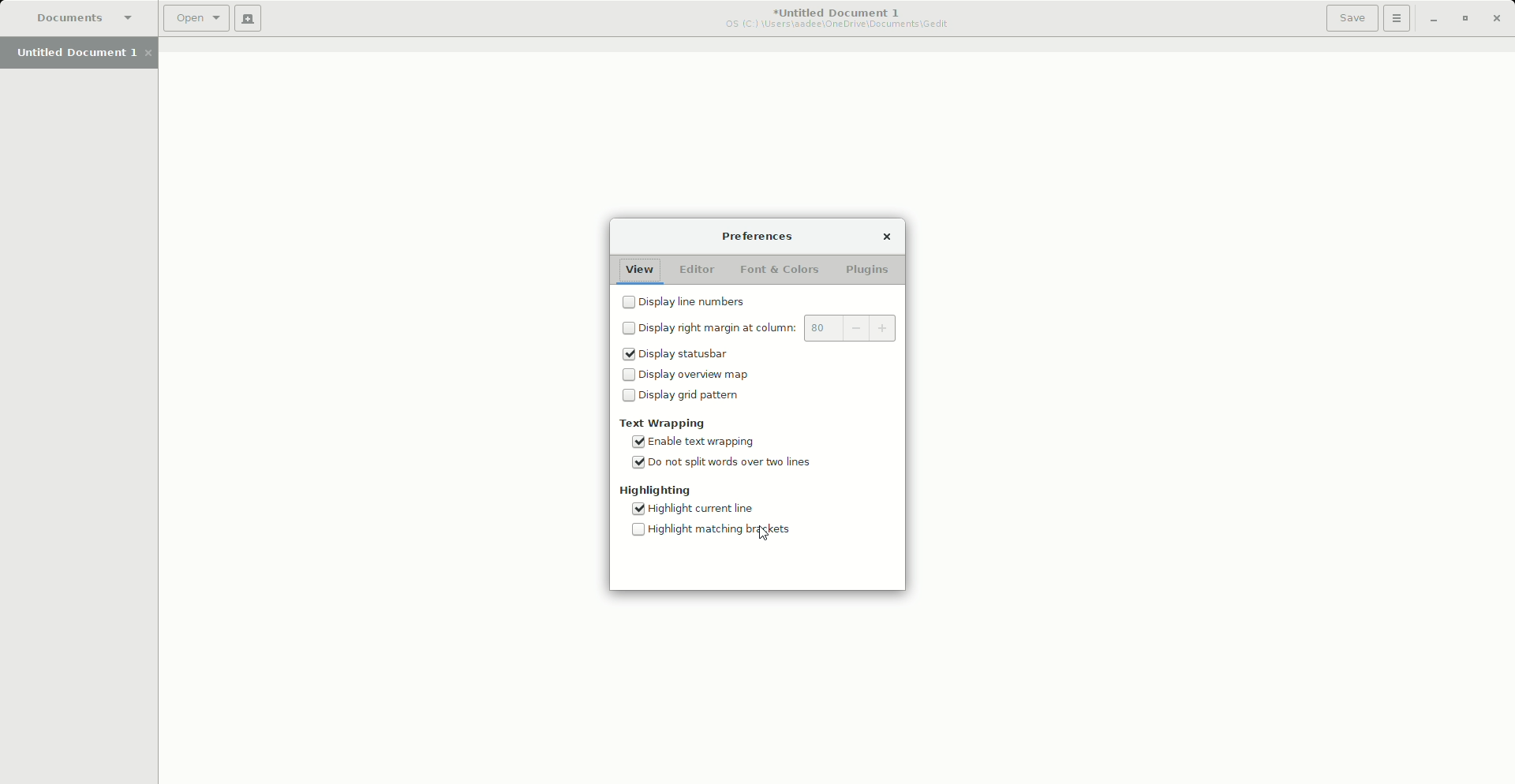 This screenshot has width=1515, height=784. Describe the element at coordinates (681, 353) in the screenshot. I see `Statusbar` at that location.